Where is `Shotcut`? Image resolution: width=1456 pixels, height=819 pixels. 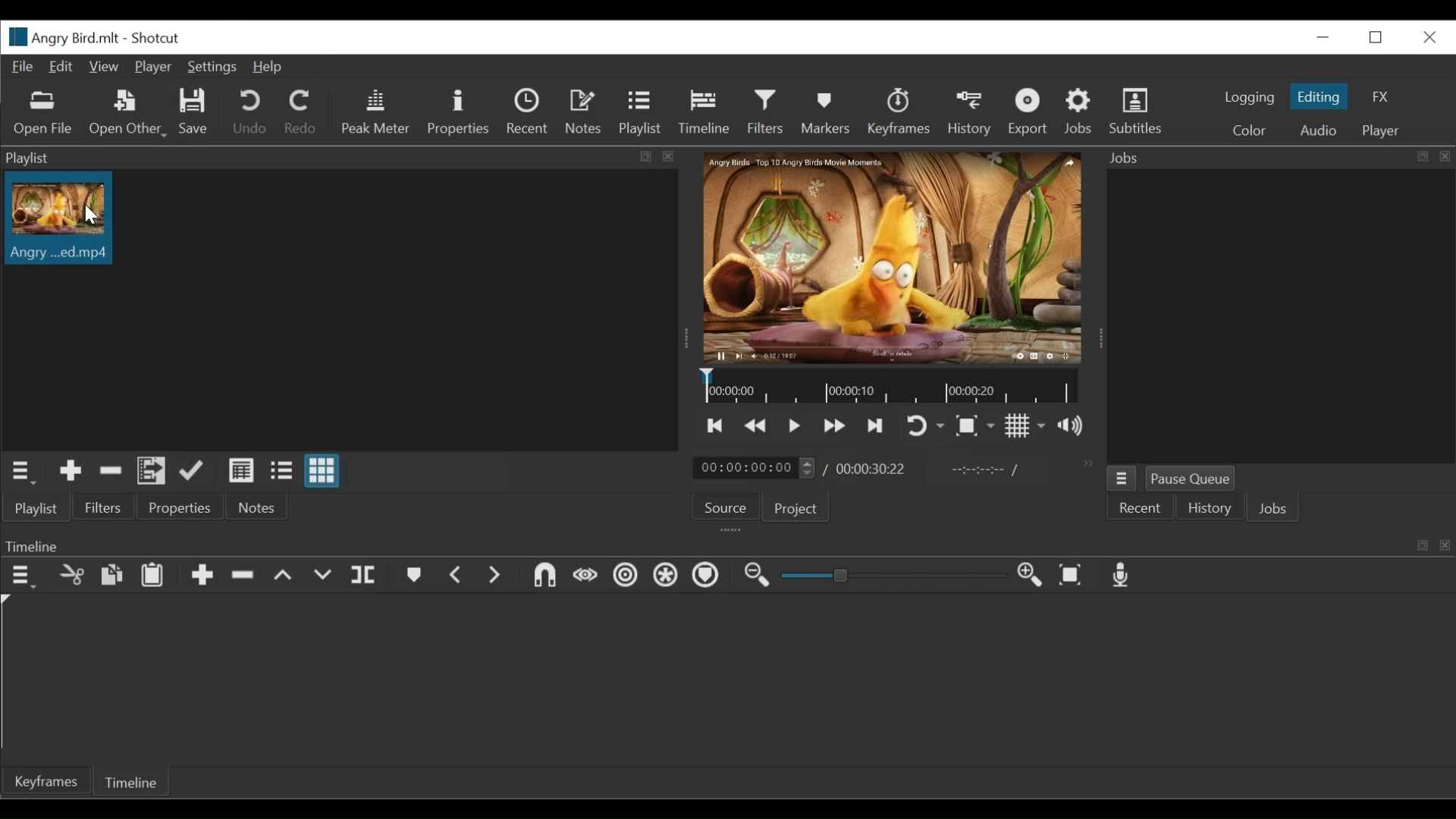 Shotcut is located at coordinates (158, 38).